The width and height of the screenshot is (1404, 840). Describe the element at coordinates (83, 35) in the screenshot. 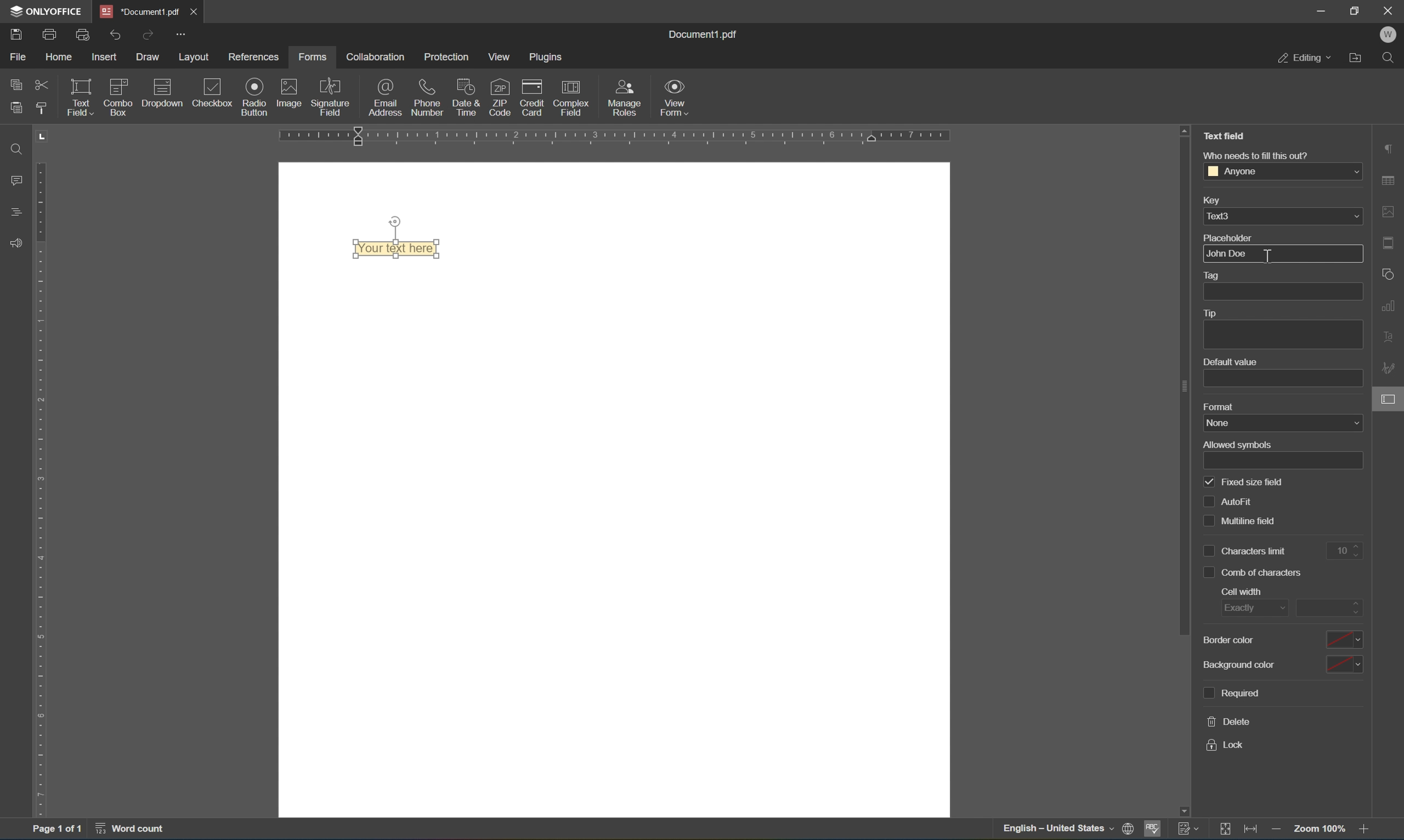

I see `quick print` at that location.